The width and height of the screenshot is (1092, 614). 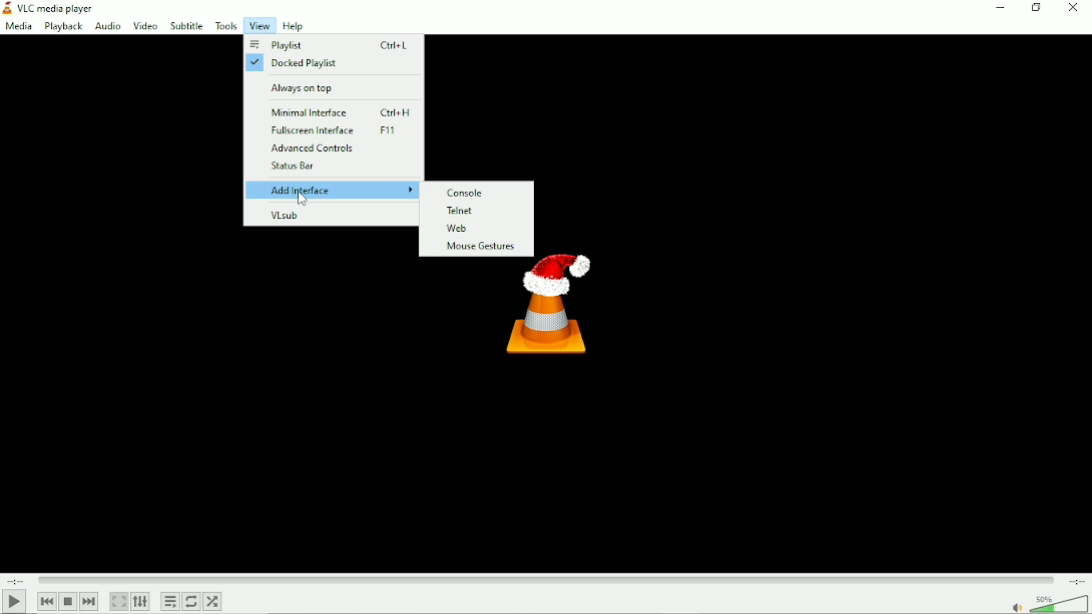 What do you see at coordinates (107, 26) in the screenshot?
I see `Audio` at bounding box center [107, 26].